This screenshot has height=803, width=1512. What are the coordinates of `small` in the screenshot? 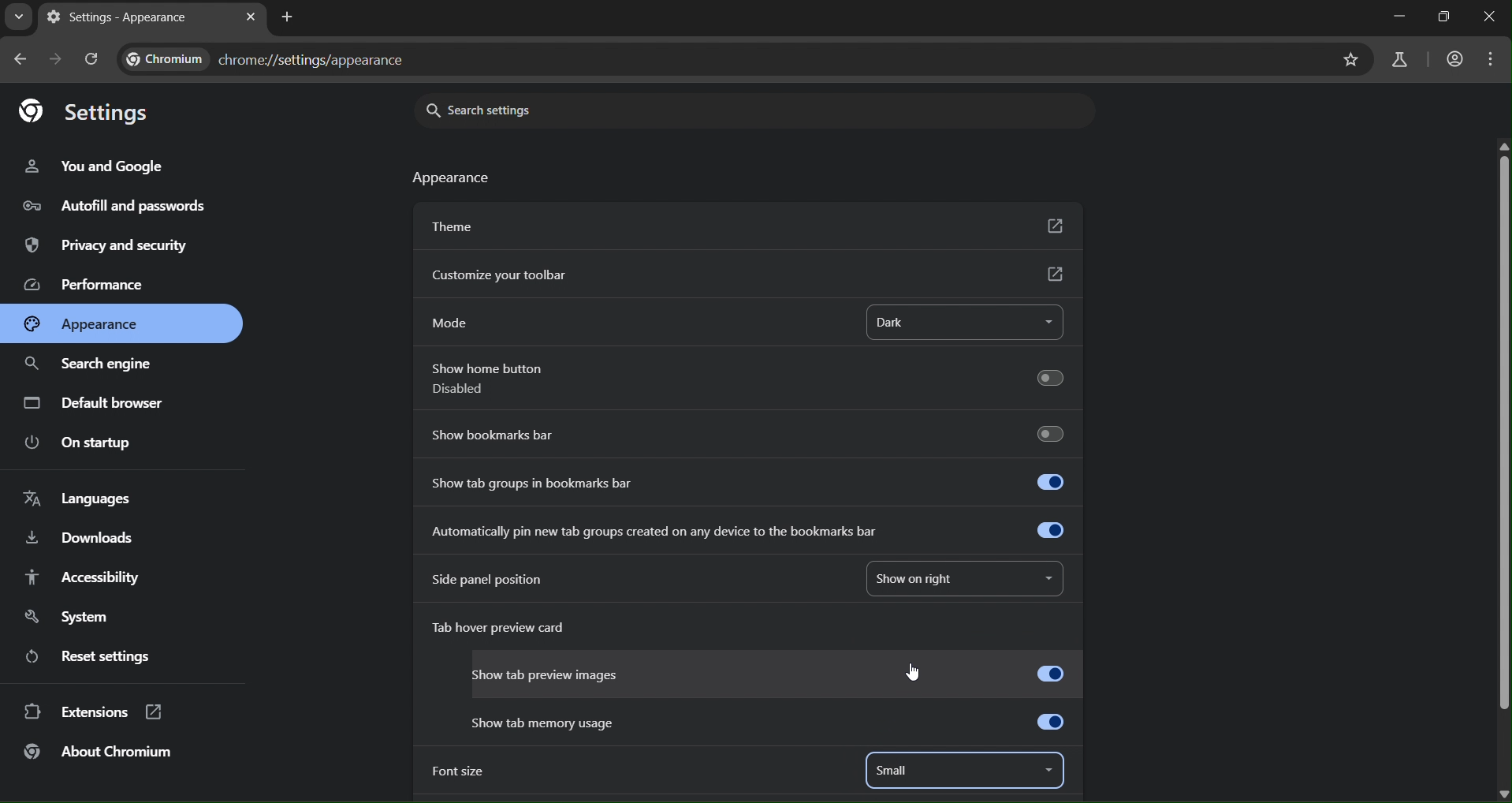 It's located at (897, 771).